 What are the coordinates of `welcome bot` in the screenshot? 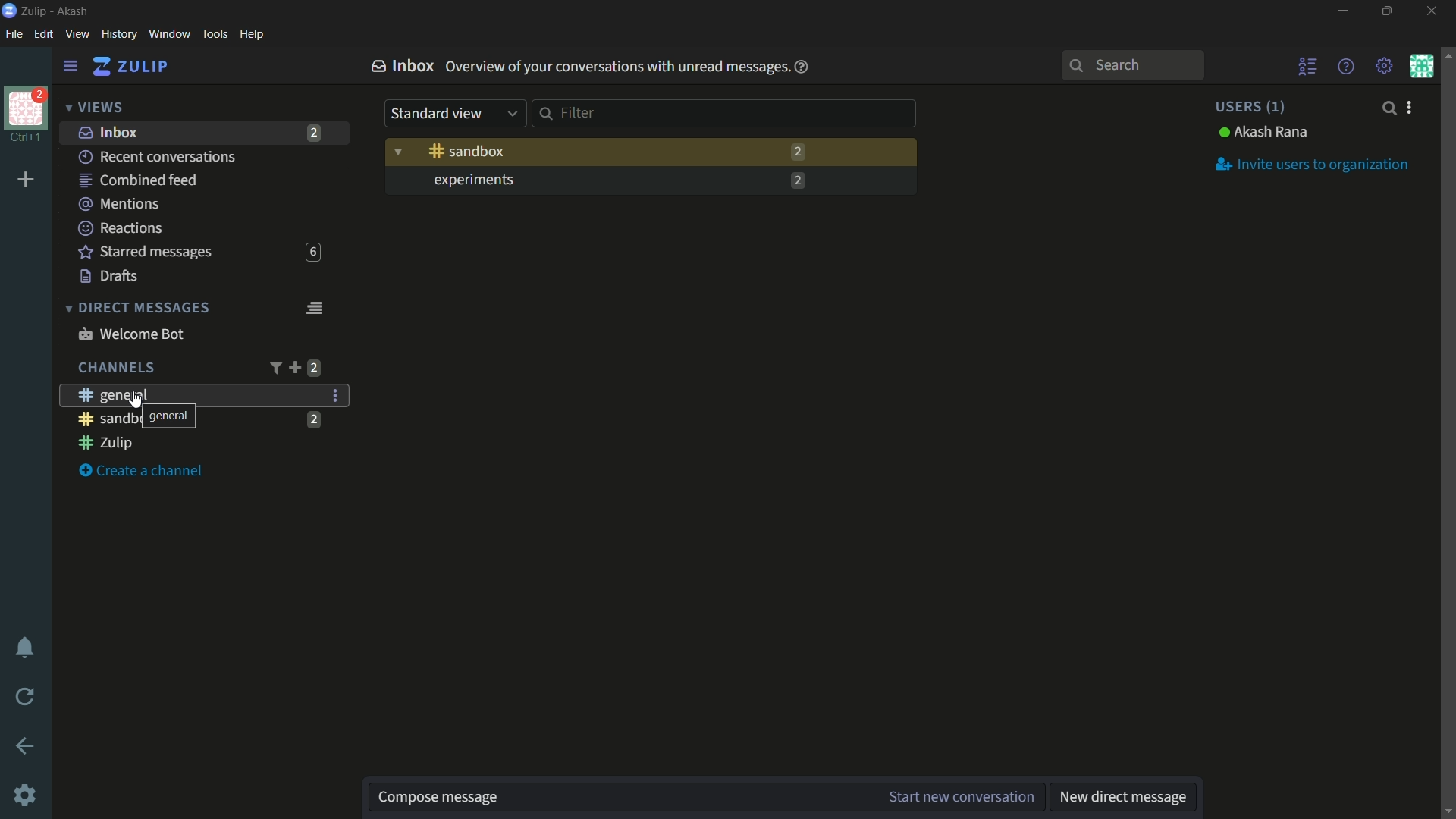 It's located at (130, 334).